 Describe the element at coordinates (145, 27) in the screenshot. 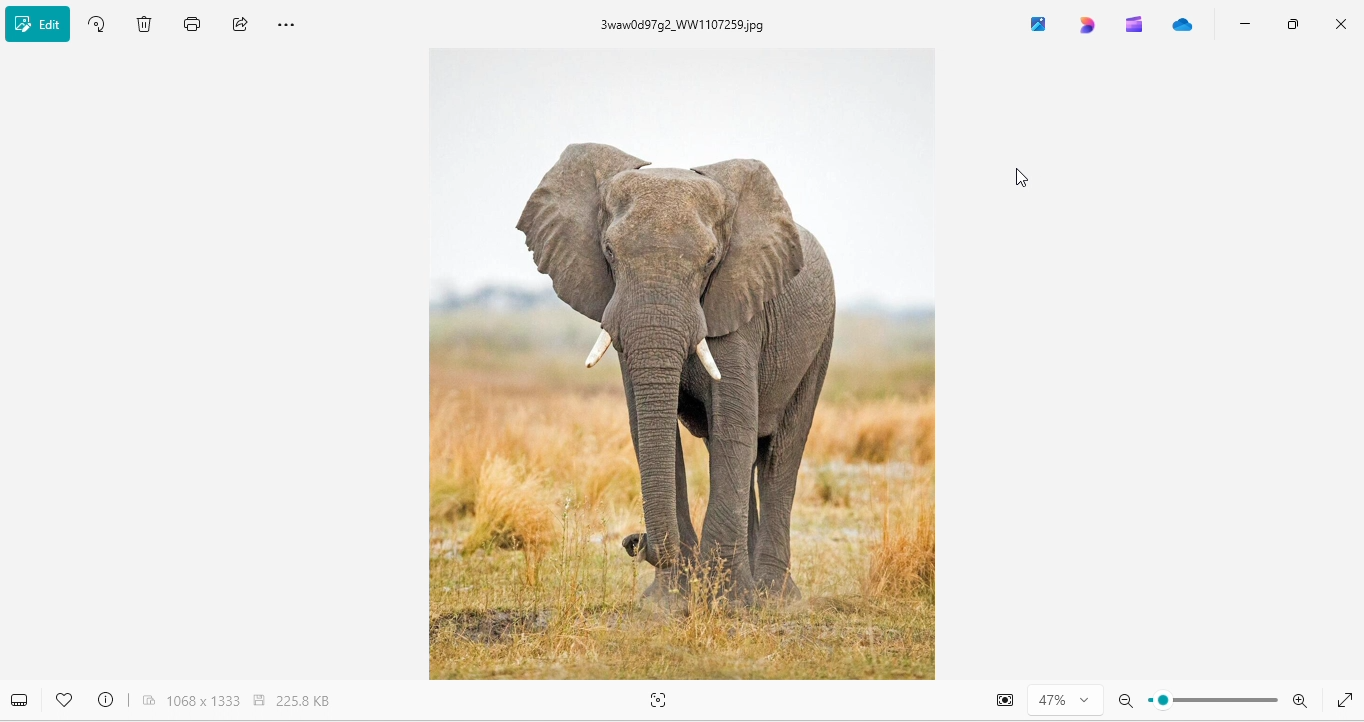

I see `delete` at that location.